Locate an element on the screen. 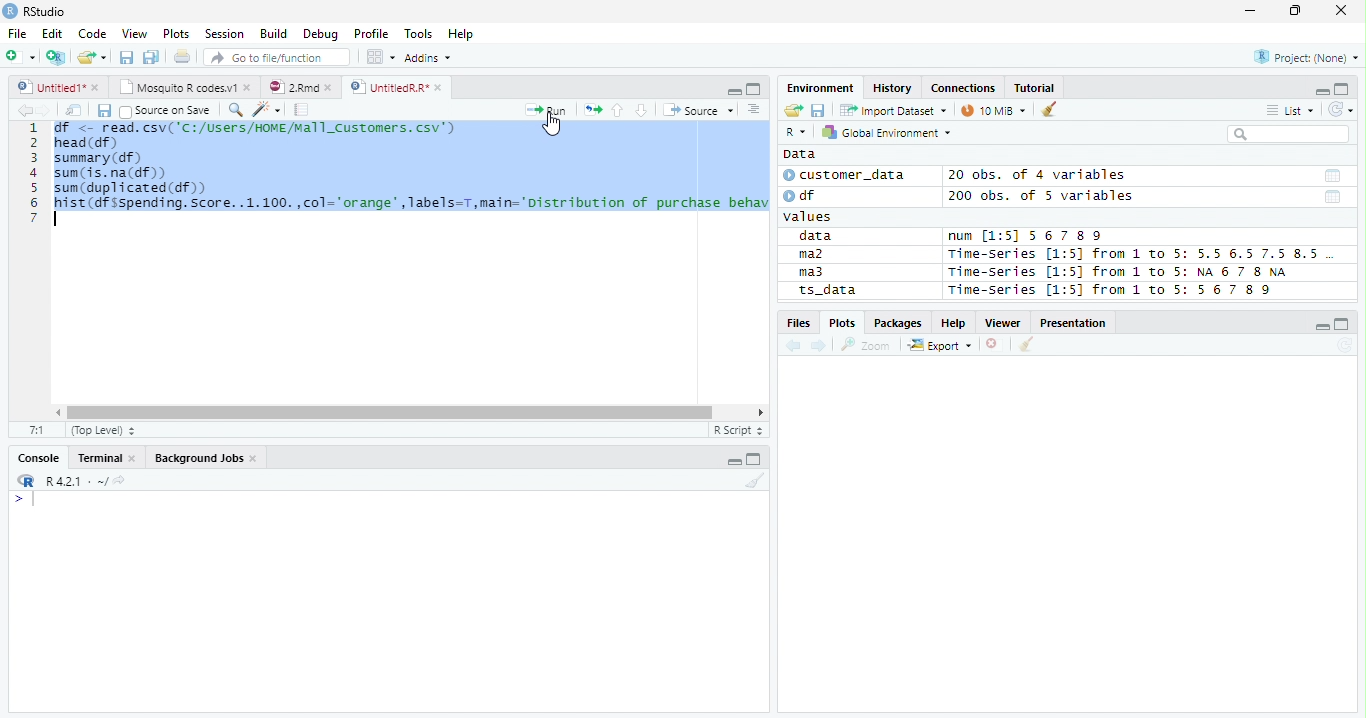 This screenshot has height=718, width=1366. Cursor is located at coordinates (553, 126).